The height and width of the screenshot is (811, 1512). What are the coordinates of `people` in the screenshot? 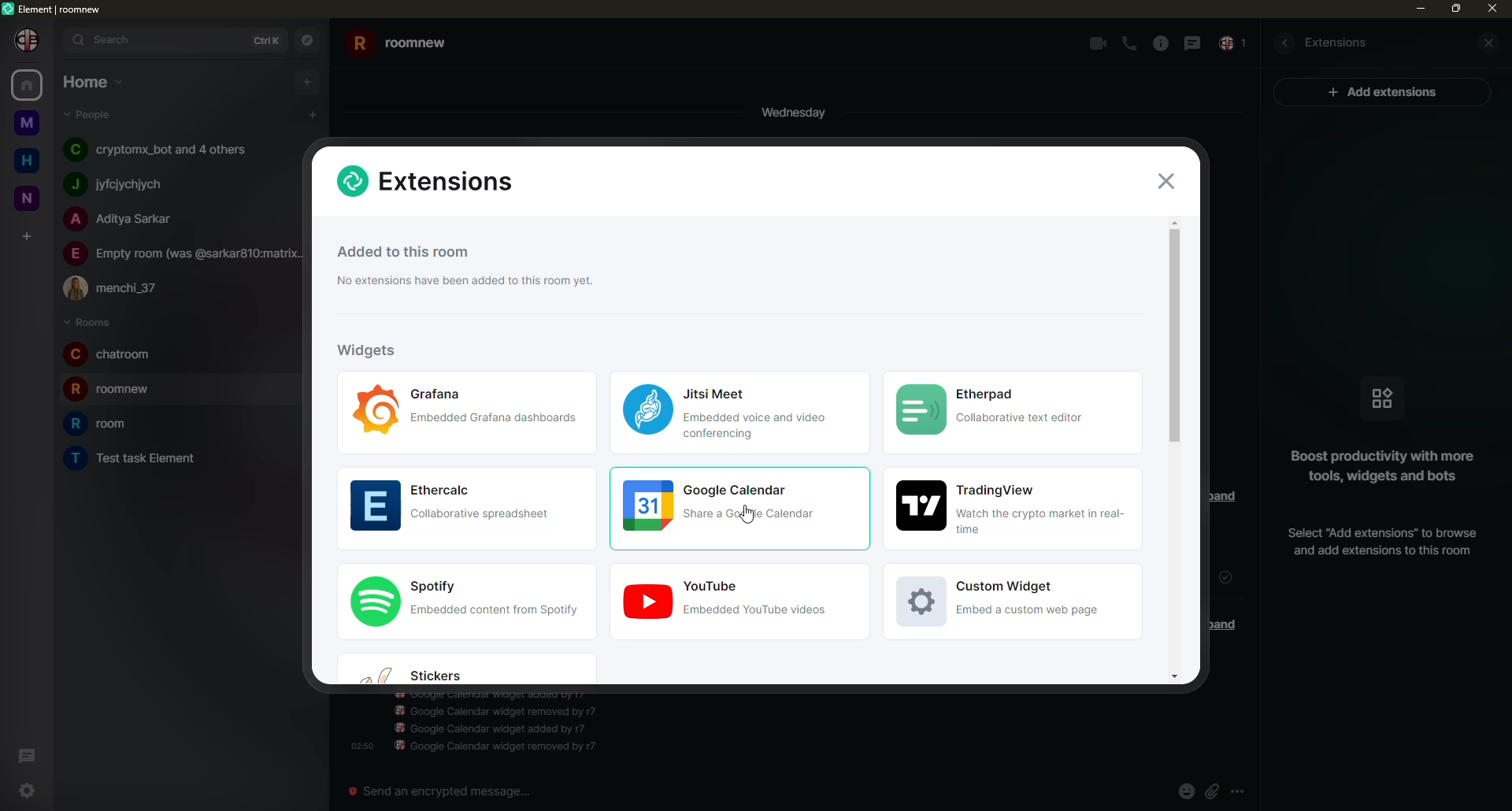 It's located at (161, 150).